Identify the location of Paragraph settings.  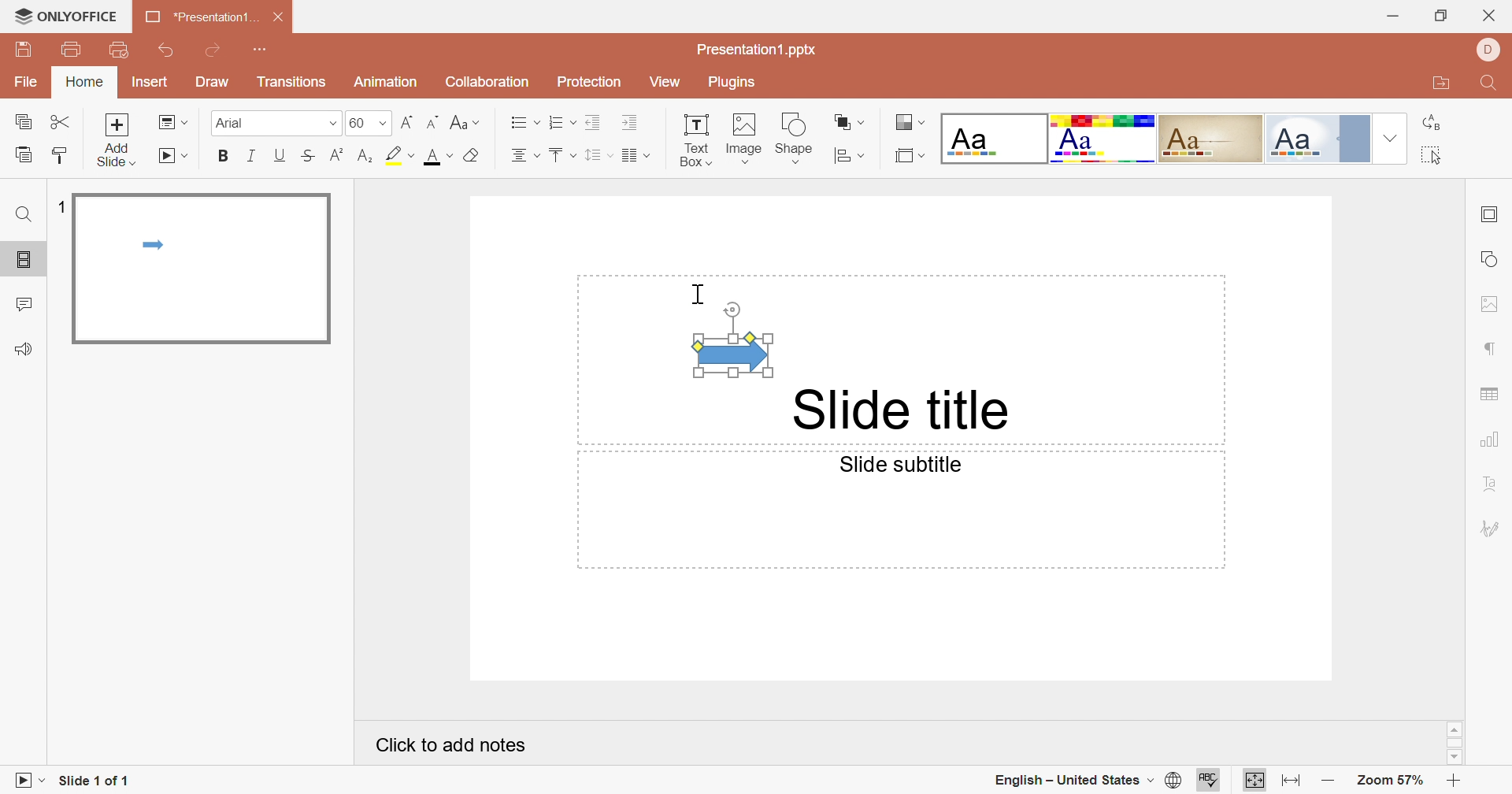
(1491, 350).